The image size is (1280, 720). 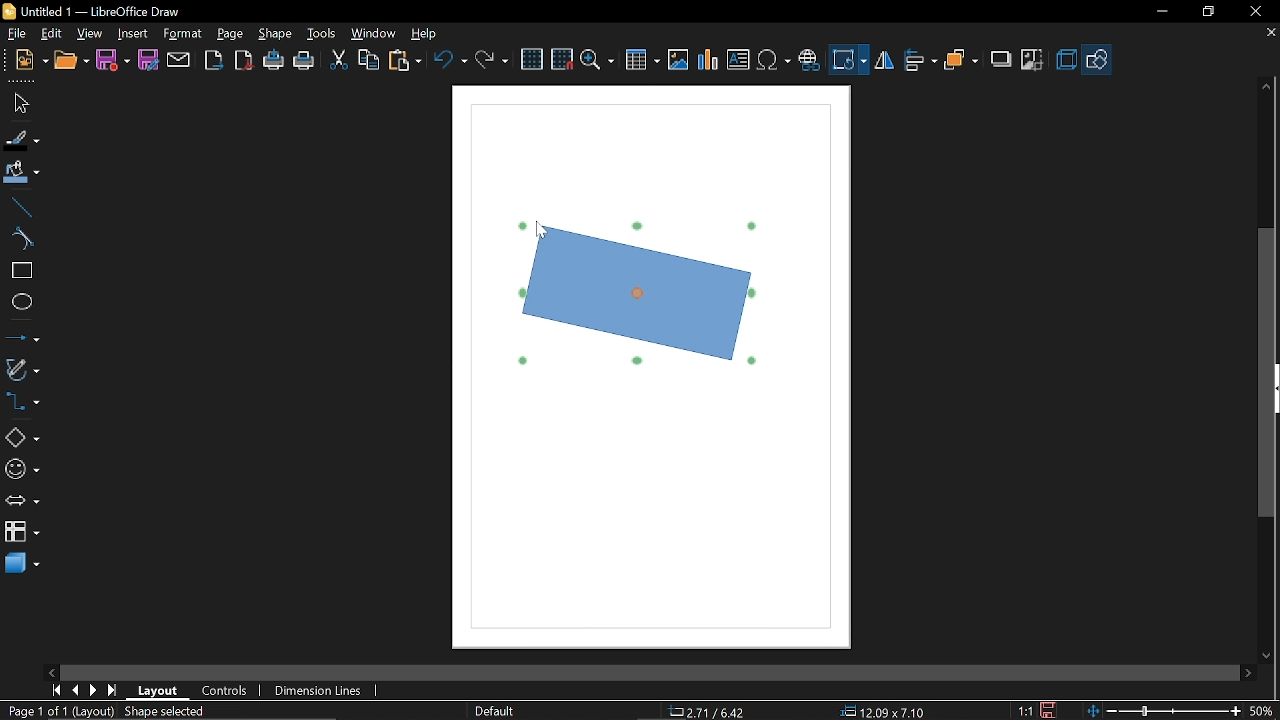 I want to click on 1:1, so click(x=1025, y=710).